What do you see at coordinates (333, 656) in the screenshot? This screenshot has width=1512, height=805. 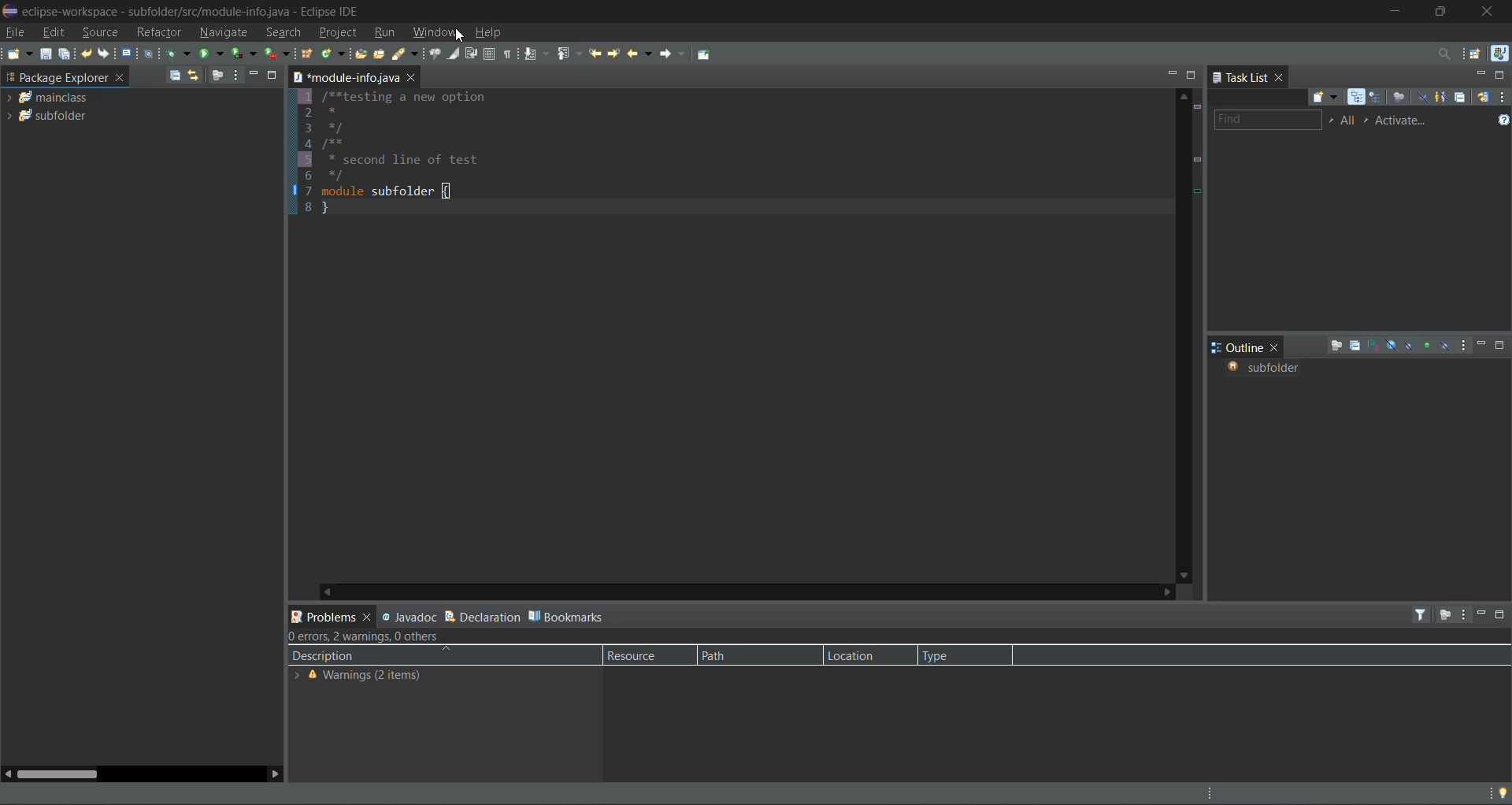 I see `description` at bounding box center [333, 656].